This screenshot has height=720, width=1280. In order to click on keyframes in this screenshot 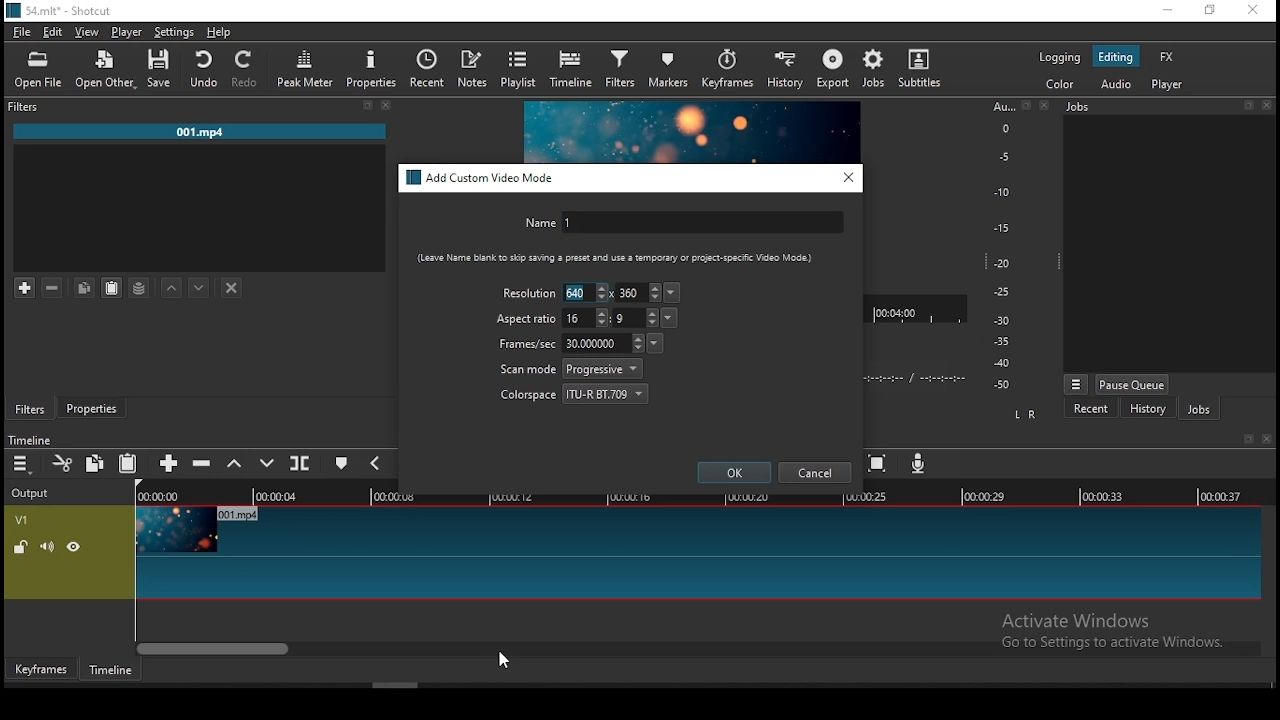, I will do `click(727, 72)`.